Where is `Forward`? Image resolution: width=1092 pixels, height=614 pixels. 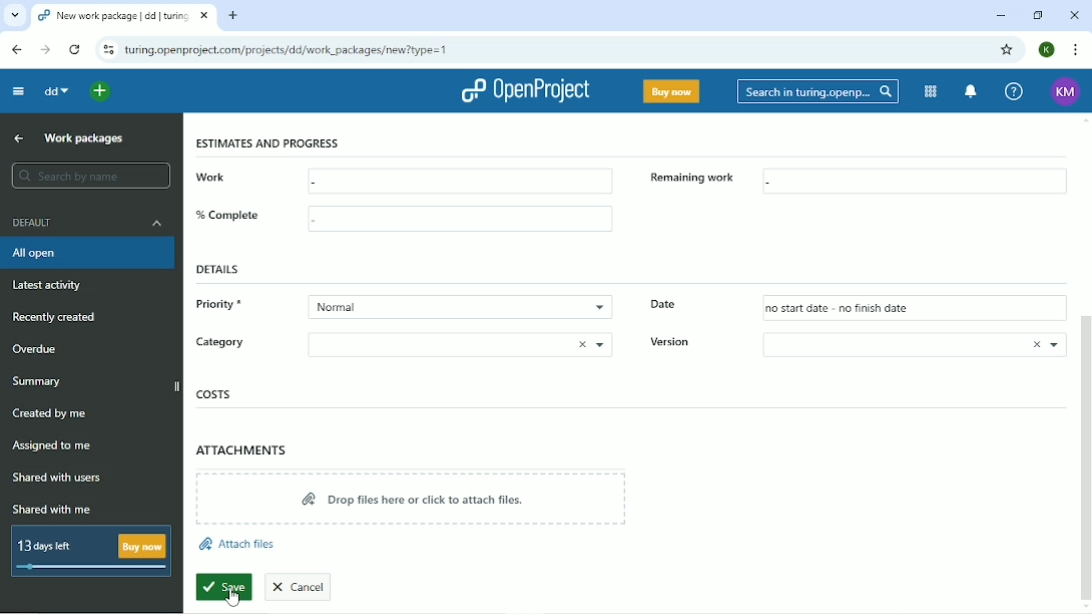
Forward is located at coordinates (45, 49).